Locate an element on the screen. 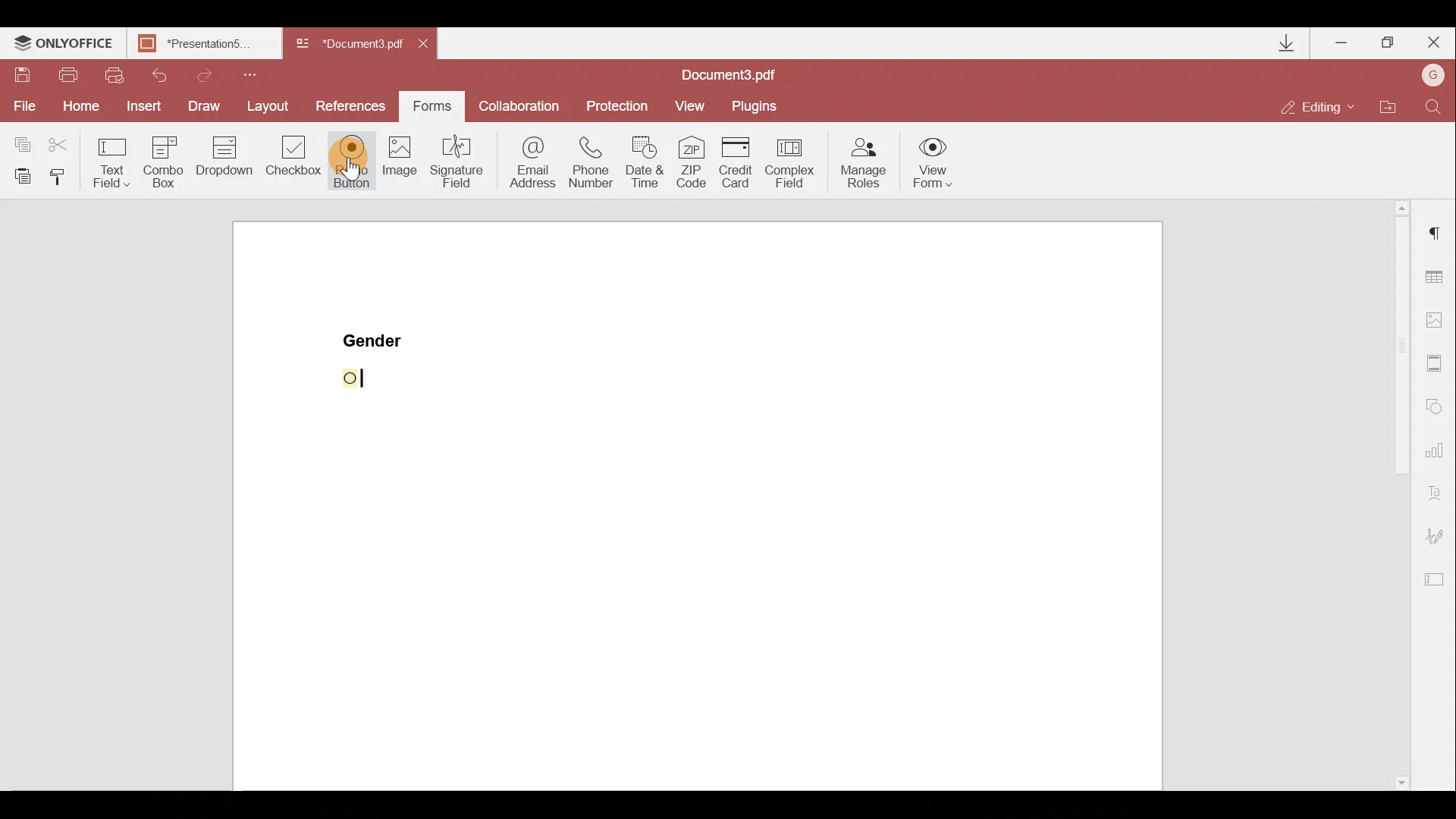  Manage roles is located at coordinates (859, 162).